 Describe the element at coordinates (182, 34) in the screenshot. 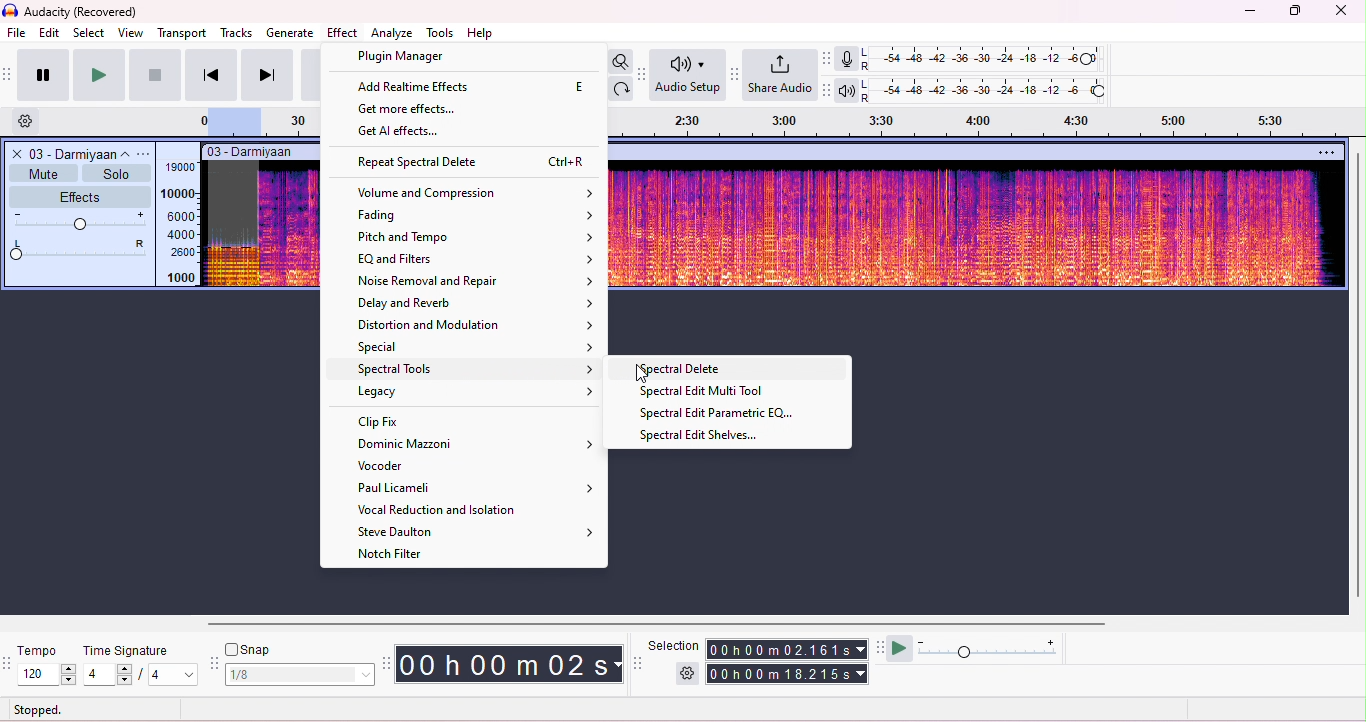

I see `transport` at that location.